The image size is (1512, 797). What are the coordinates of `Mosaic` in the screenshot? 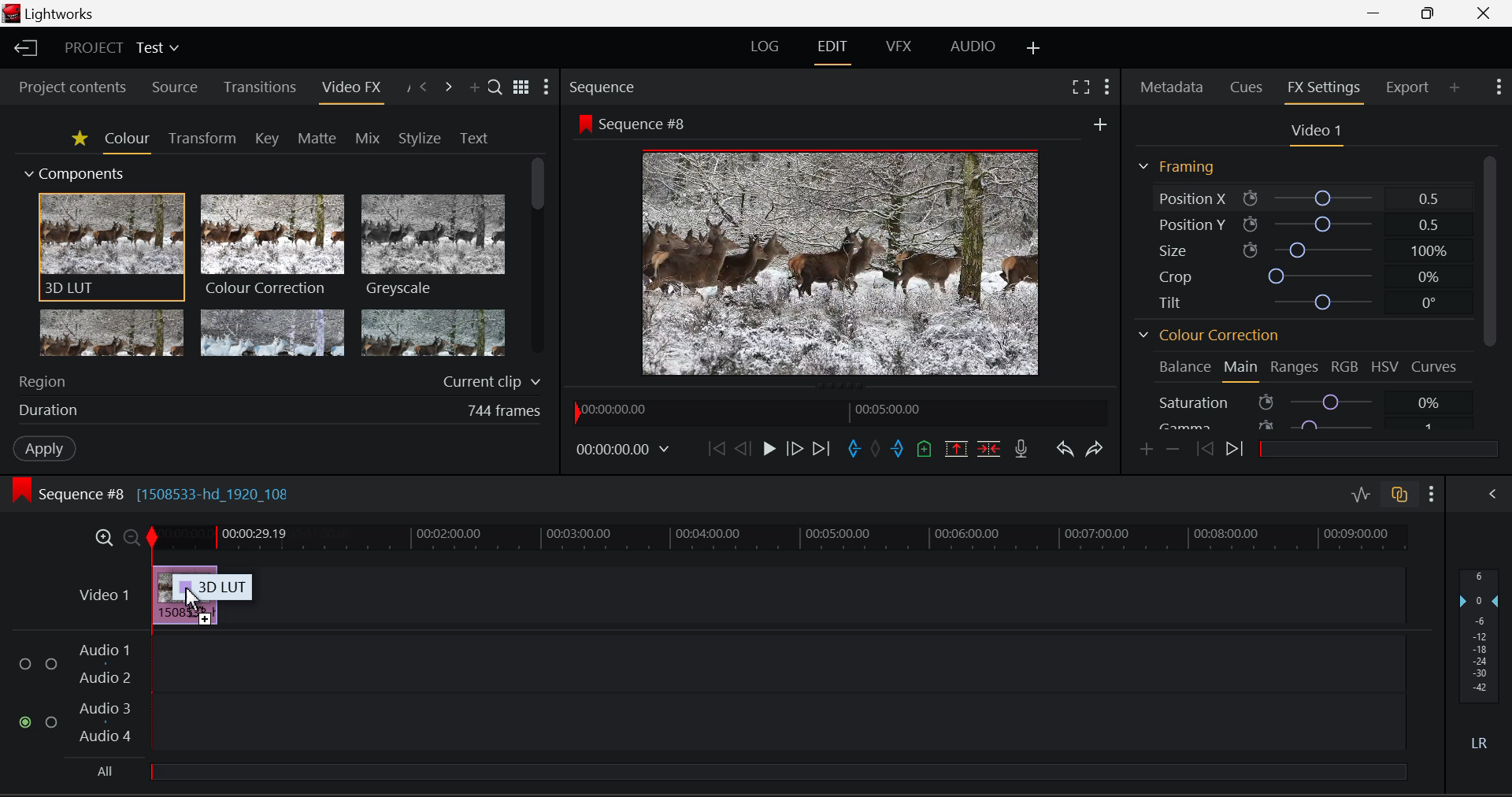 It's located at (273, 334).